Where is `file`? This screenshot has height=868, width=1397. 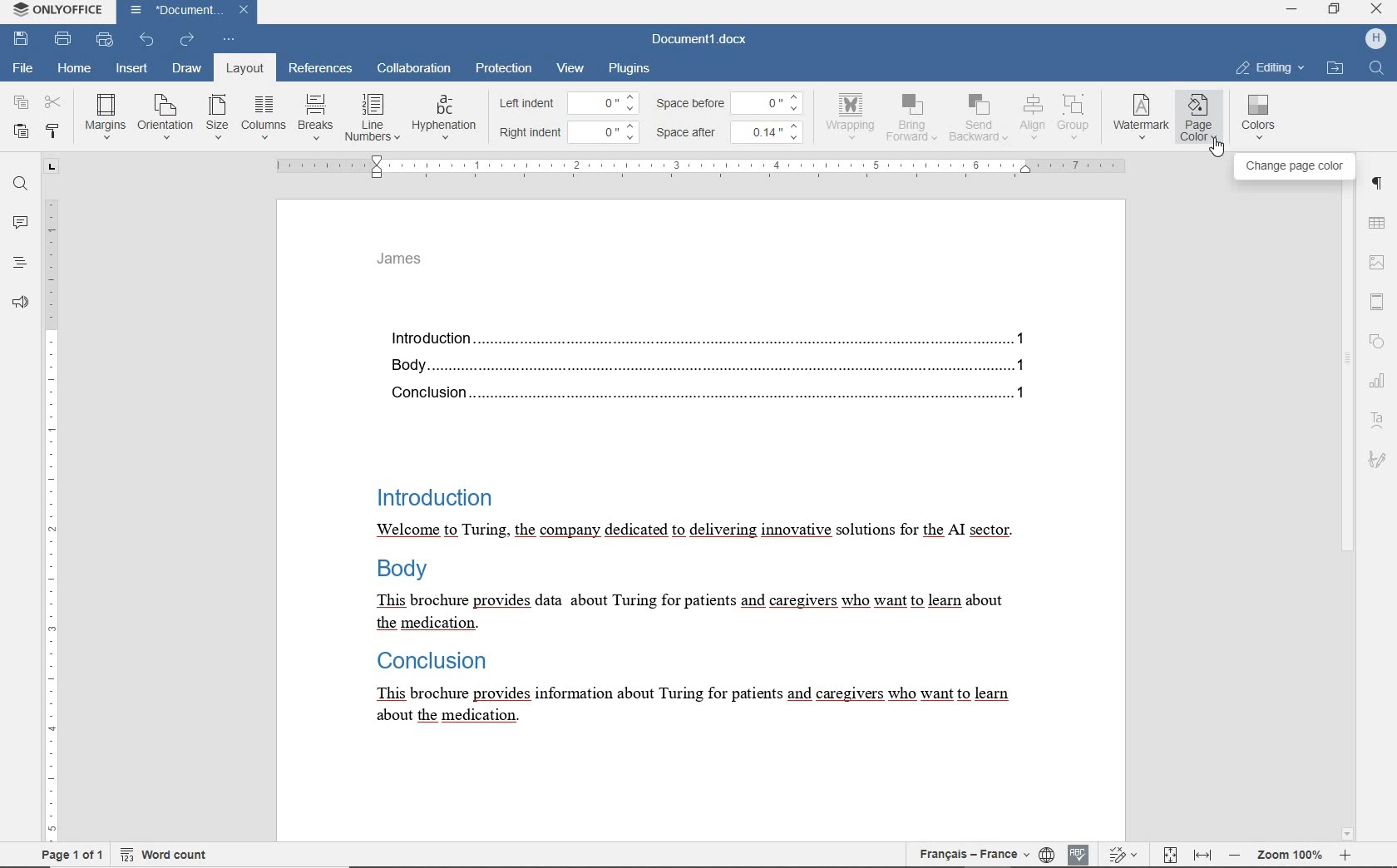 file is located at coordinates (24, 69).